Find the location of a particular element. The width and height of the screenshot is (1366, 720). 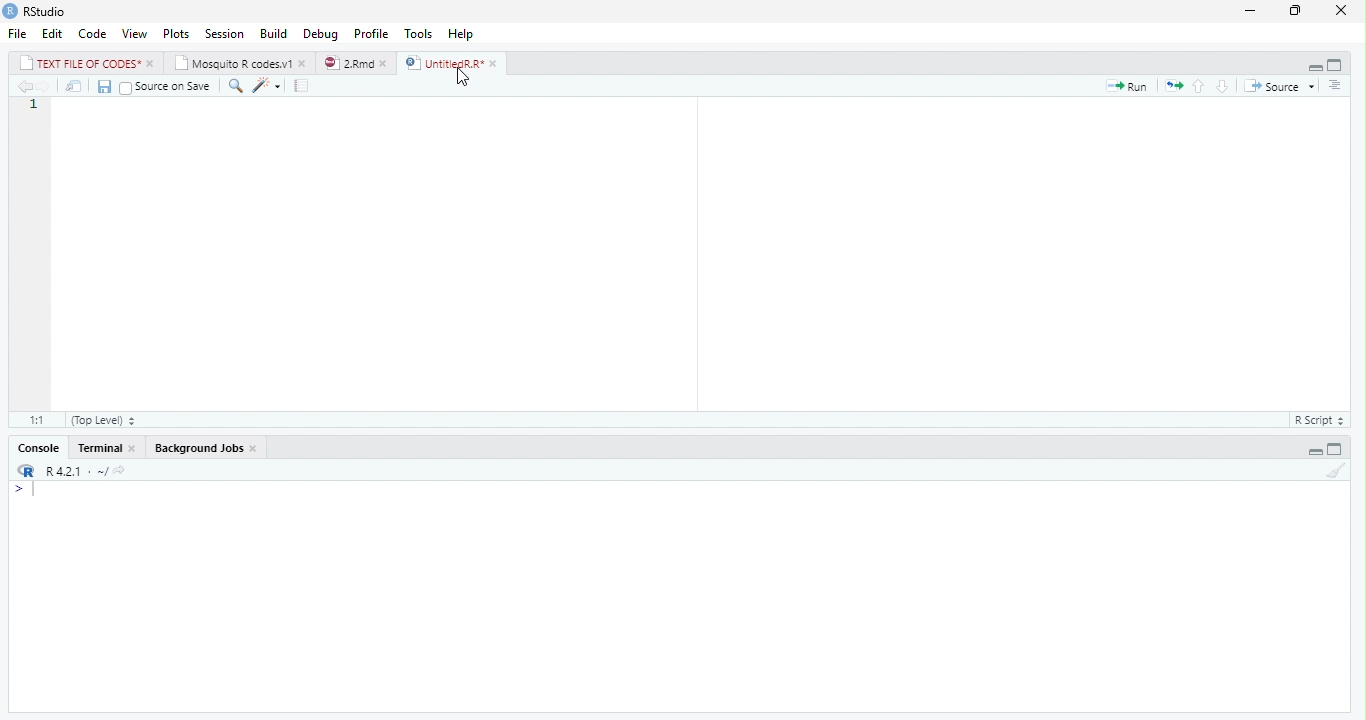

RStudio is located at coordinates (37, 12).